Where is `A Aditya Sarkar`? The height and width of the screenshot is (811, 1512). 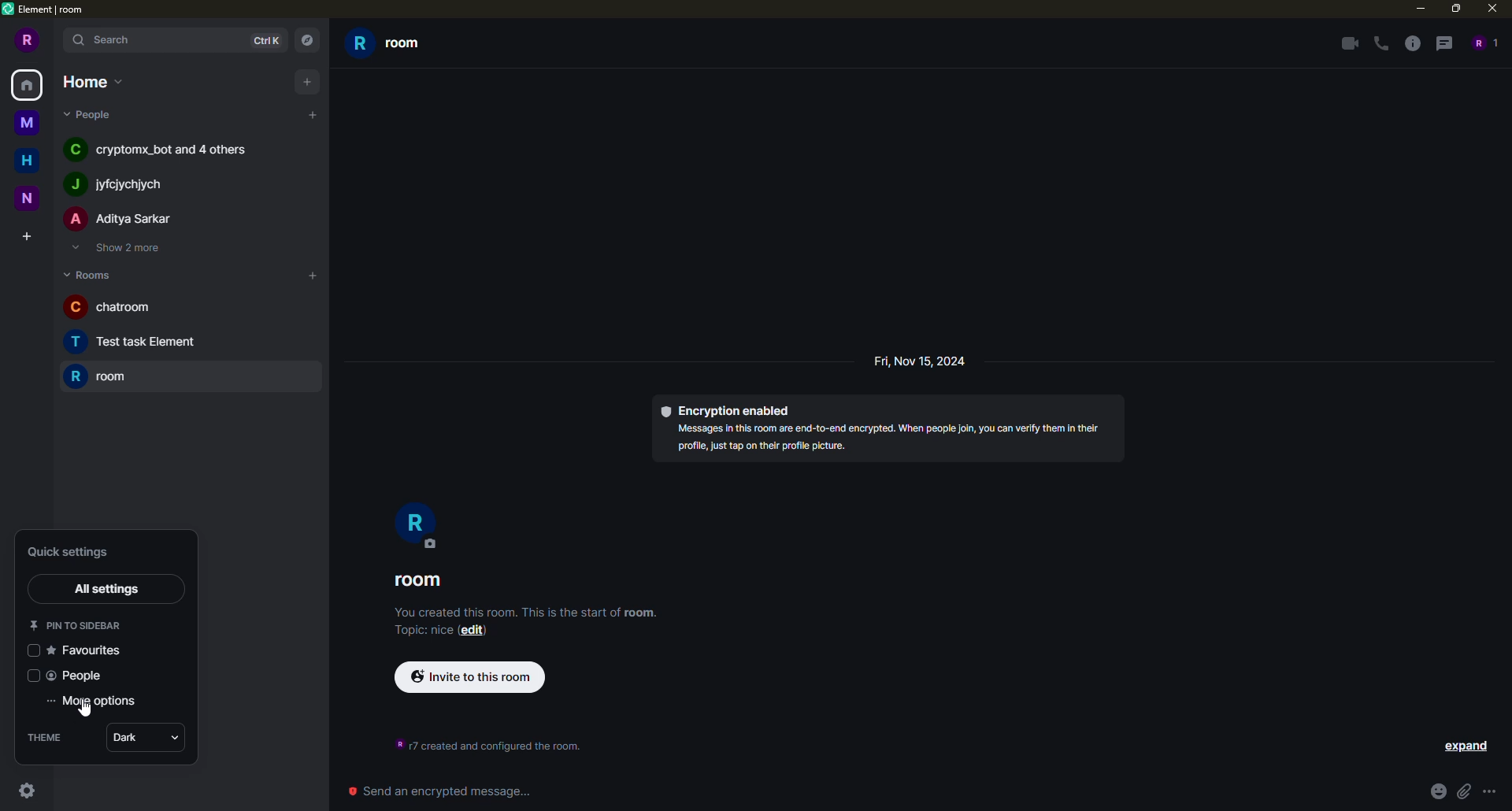 A Aditya Sarkar is located at coordinates (117, 219).